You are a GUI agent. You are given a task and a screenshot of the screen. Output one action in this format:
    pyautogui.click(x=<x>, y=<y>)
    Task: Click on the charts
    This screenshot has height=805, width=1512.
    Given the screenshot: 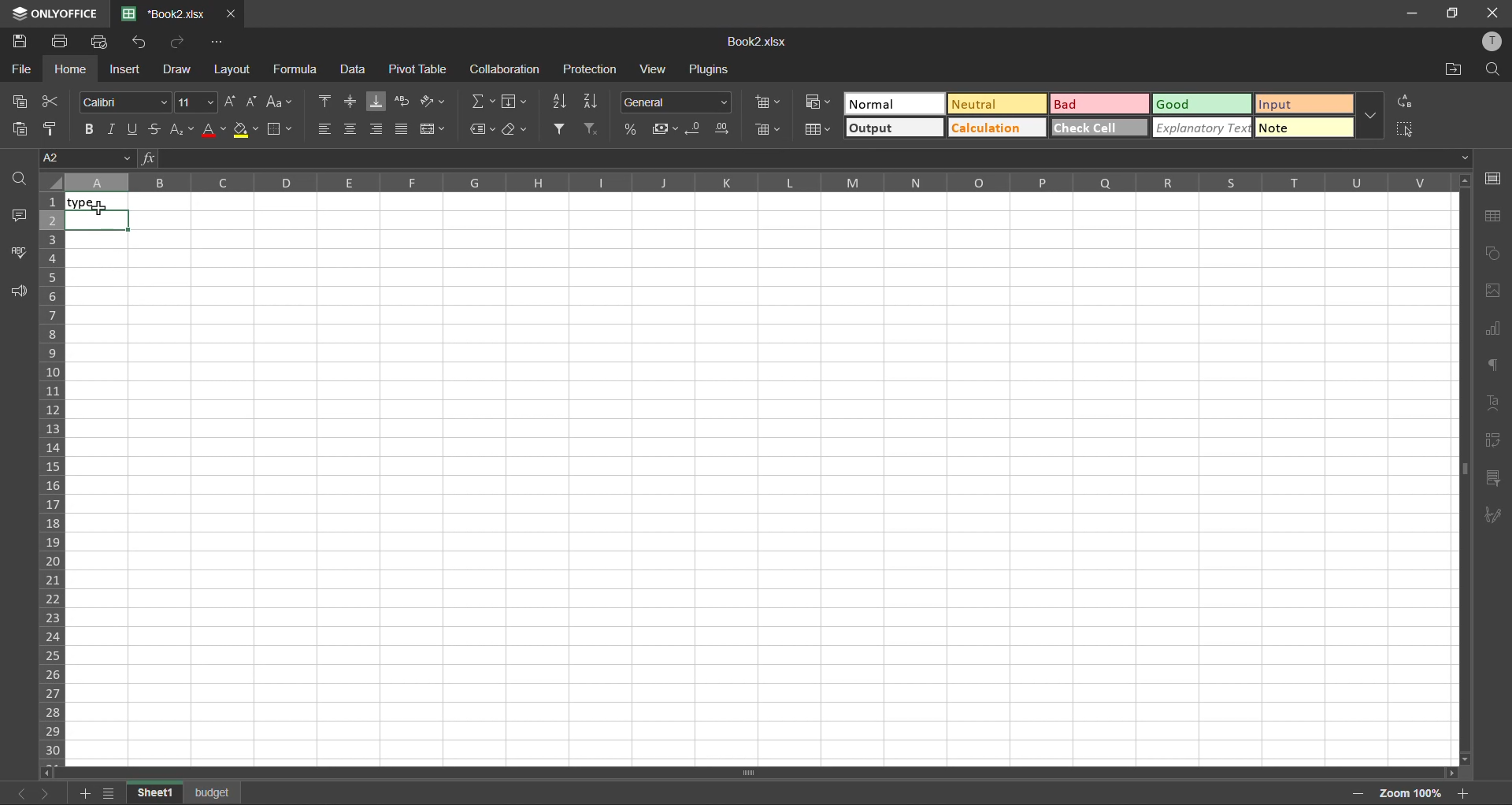 What is the action you would take?
    pyautogui.click(x=1494, y=328)
    